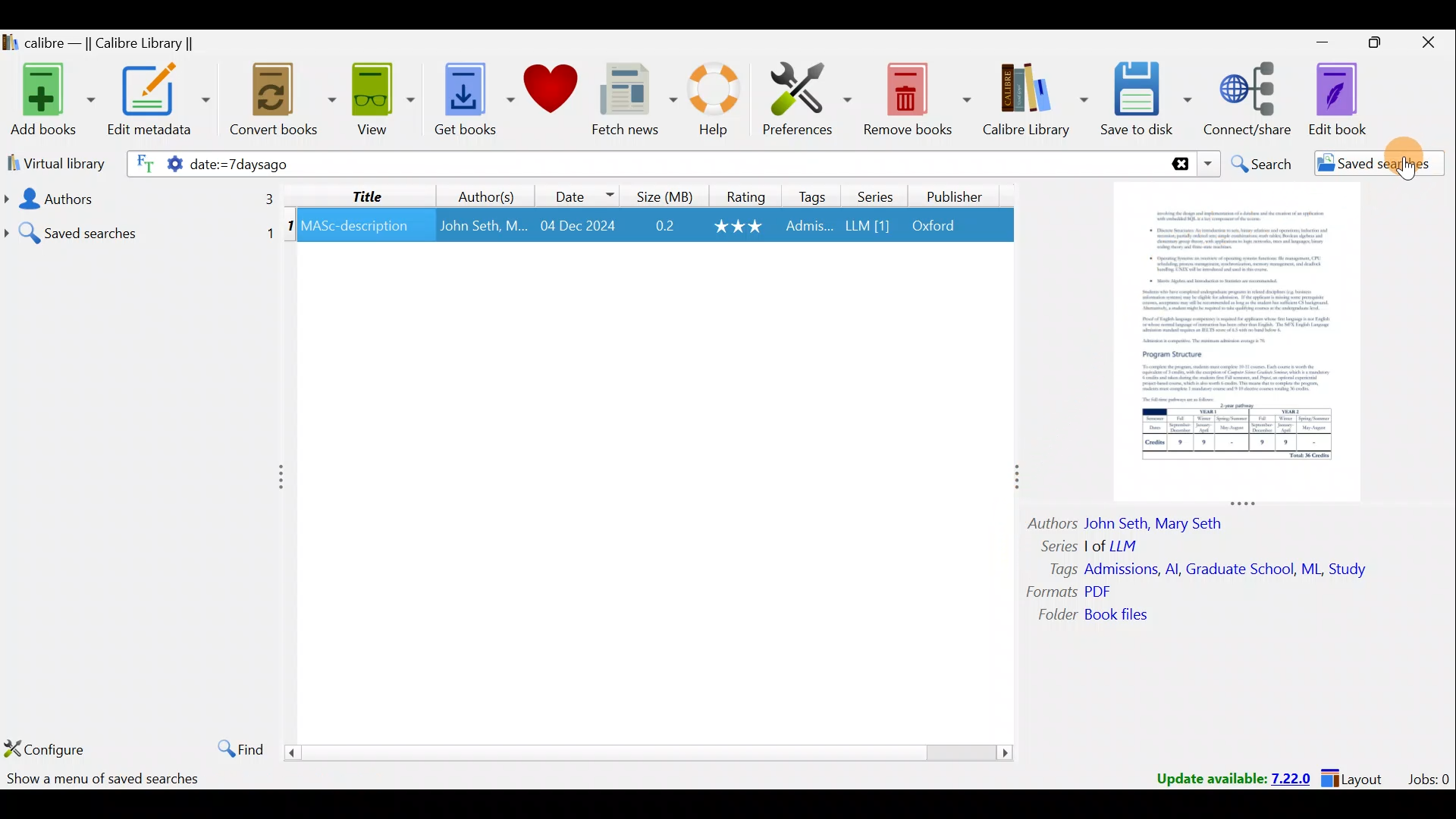 The image size is (1456, 819). Describe the element at coordinates (941, 226) in the screenshot. I see `Oxford` at that location.